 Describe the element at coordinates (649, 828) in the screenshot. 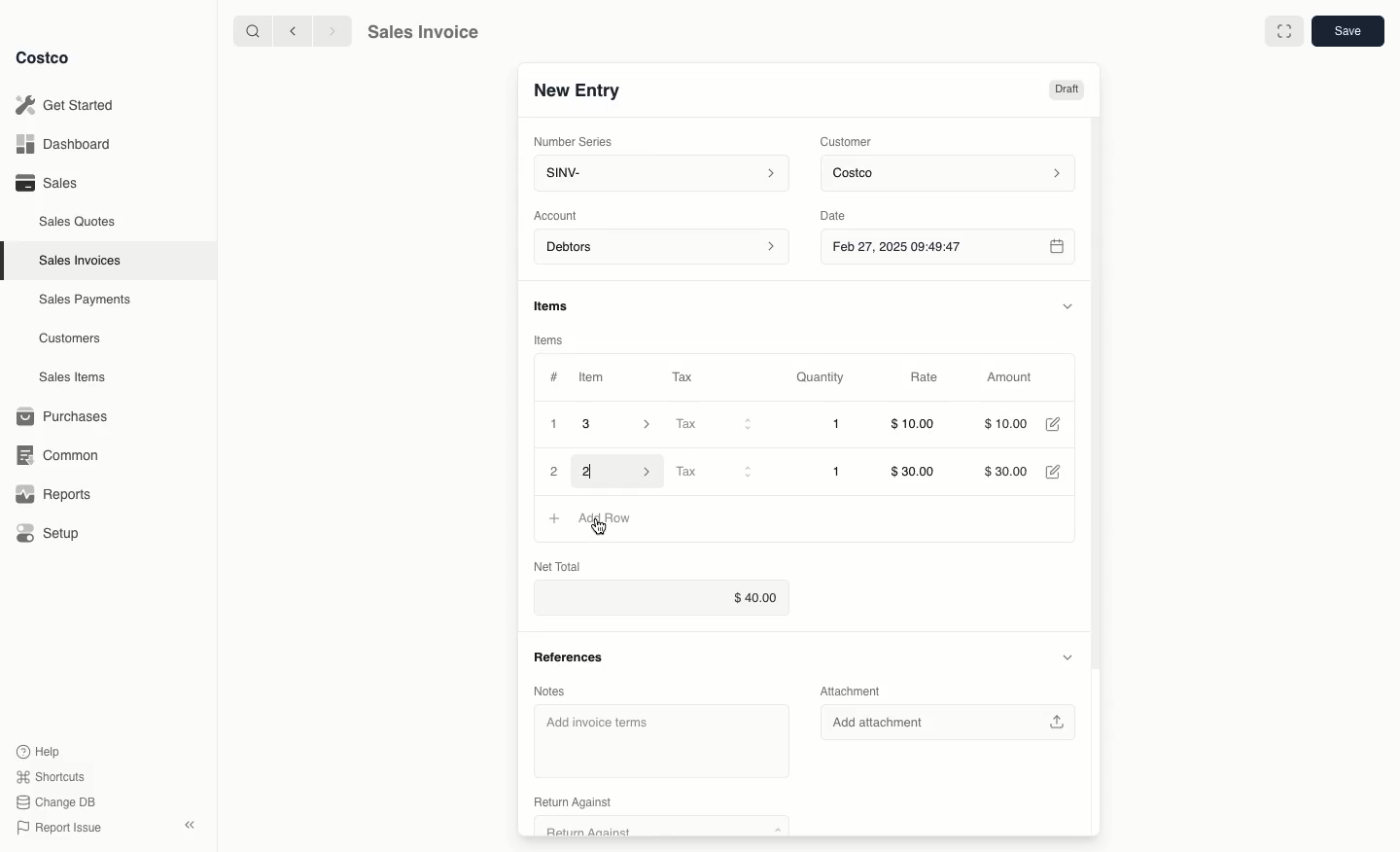

I see `Return Against` at that location.